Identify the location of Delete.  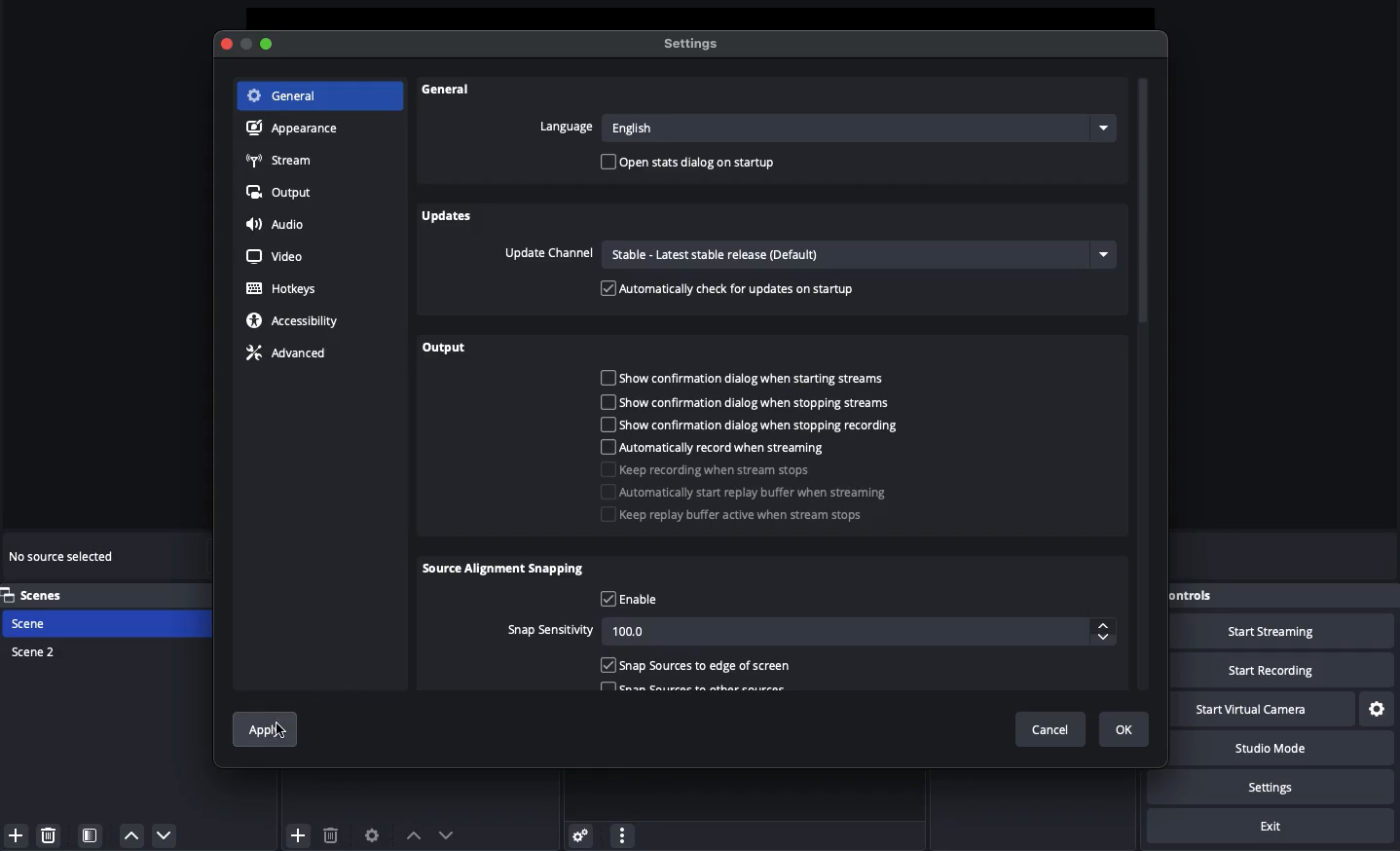
(332, 832).